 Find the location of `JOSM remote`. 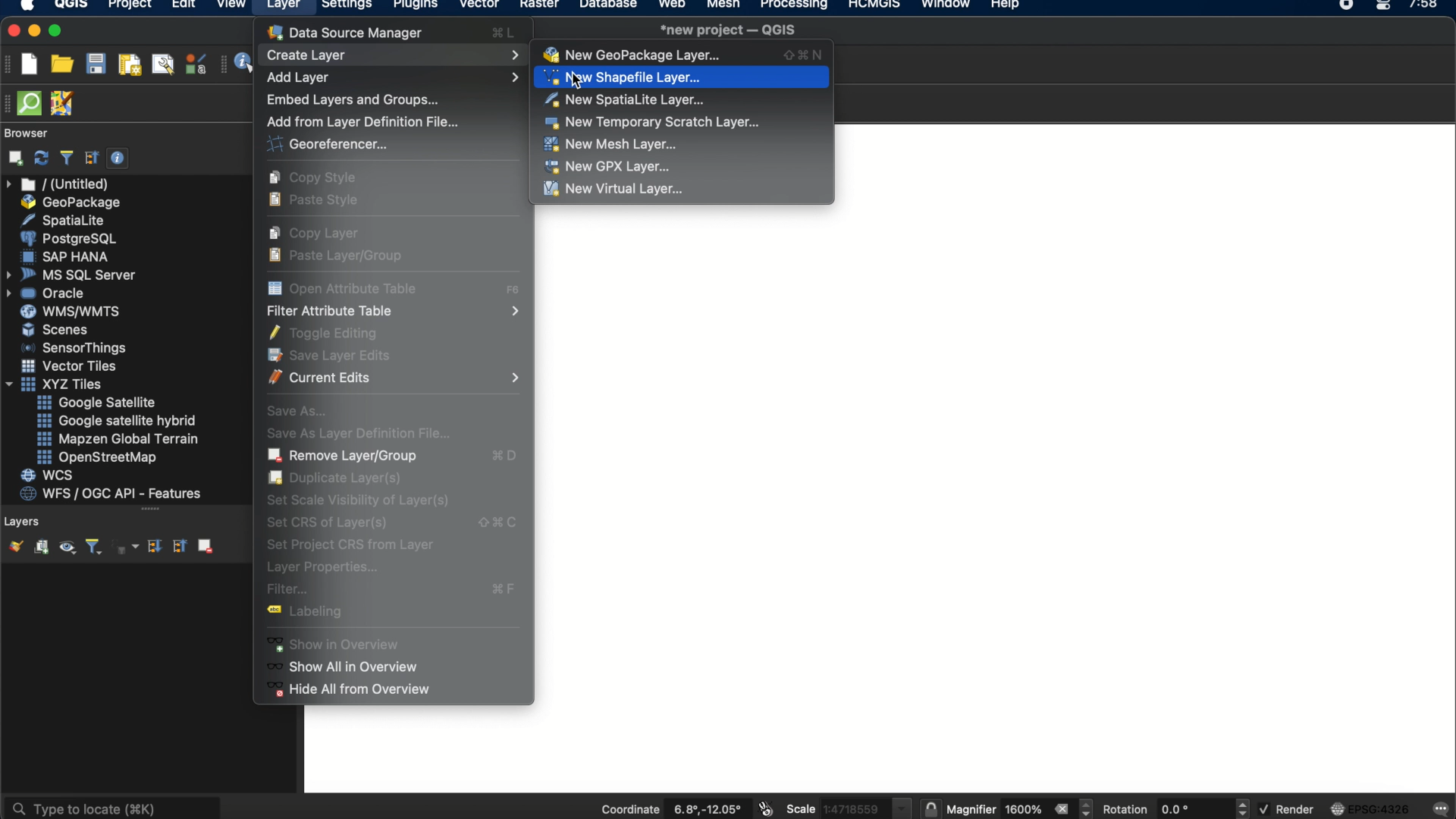

JOSM remote is located at coordinates (64, 104).